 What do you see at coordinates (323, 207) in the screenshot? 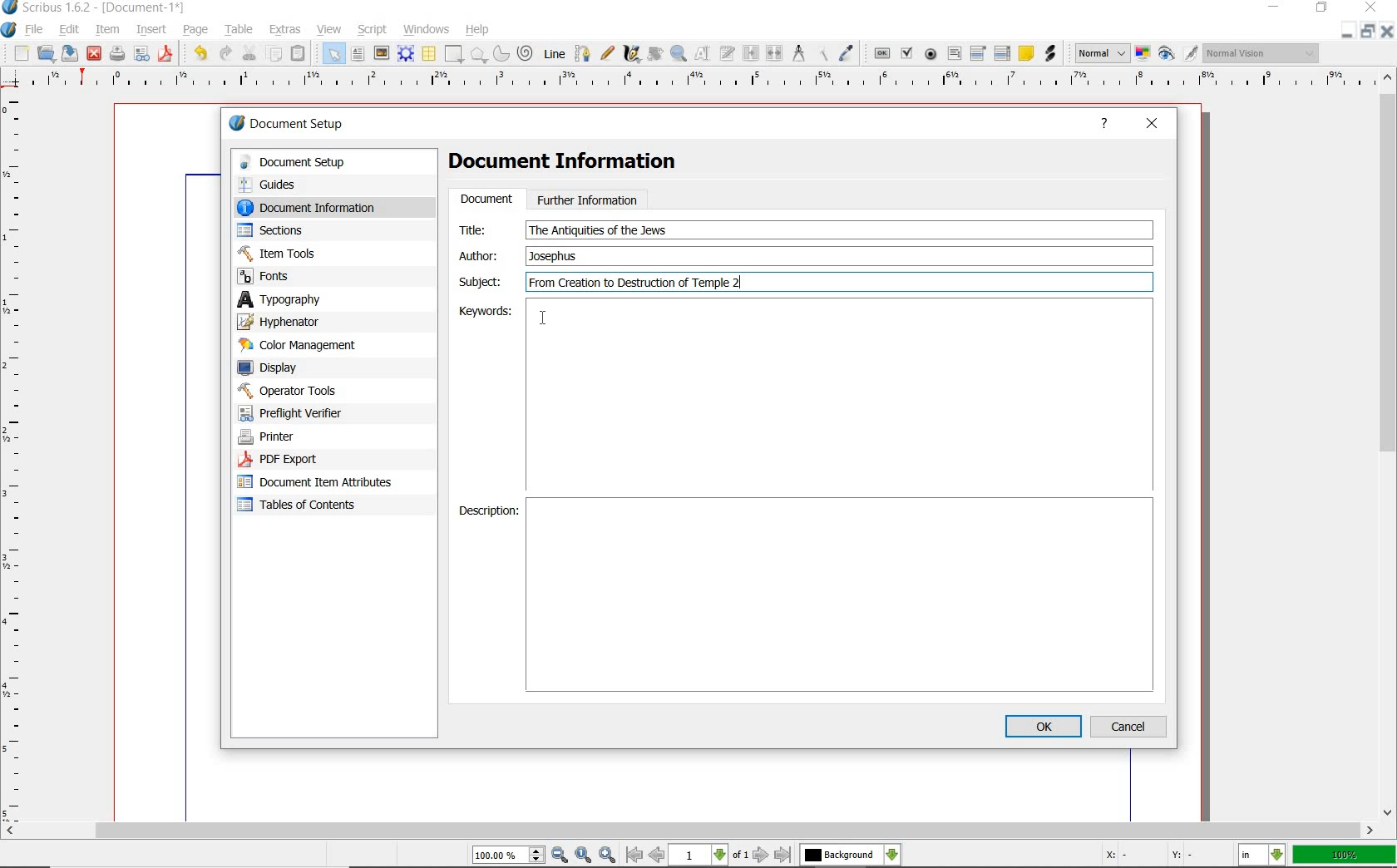
I see `document information` at bounding box center [323, 207].